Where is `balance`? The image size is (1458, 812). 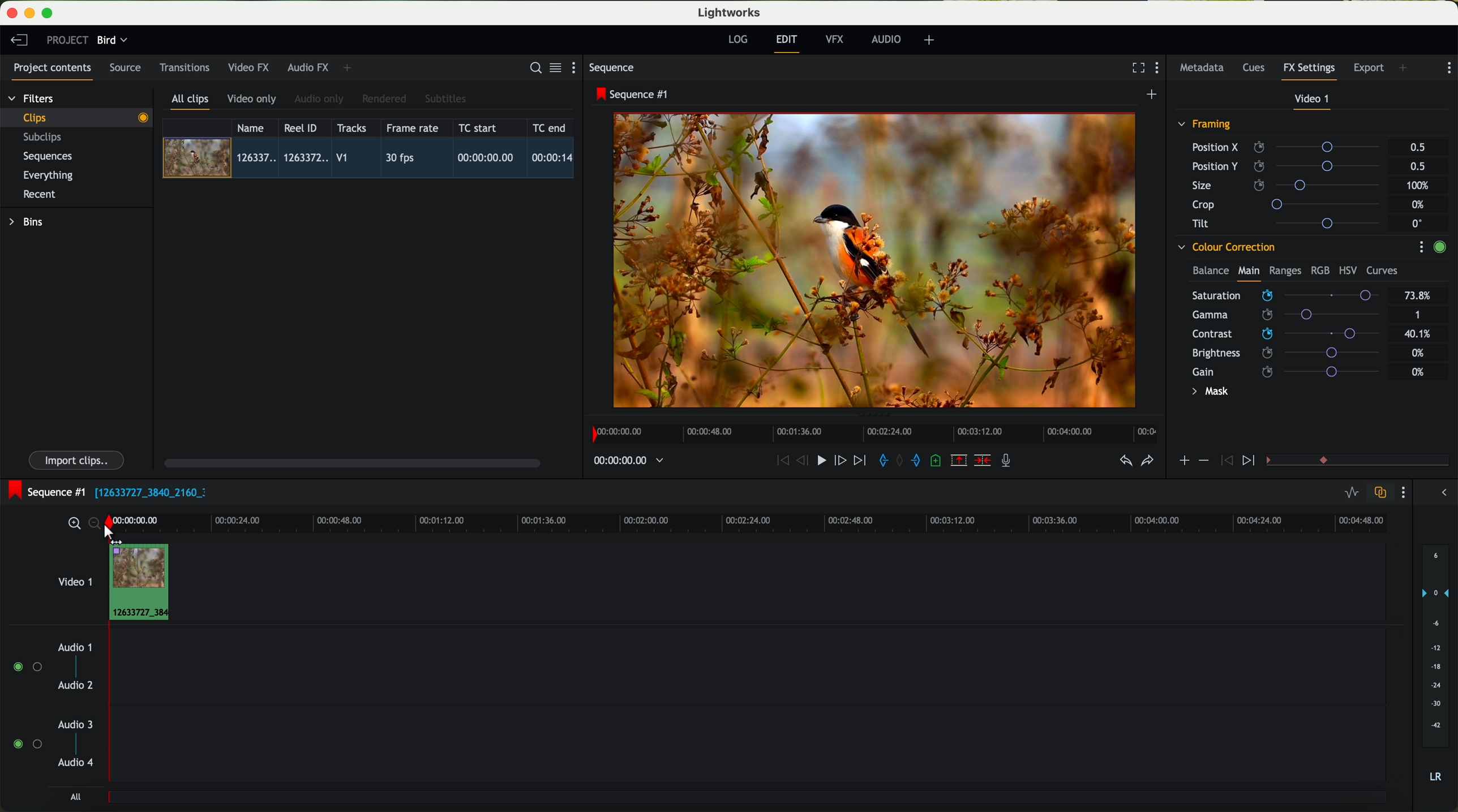 balance is located at coordinates (1211, 272).